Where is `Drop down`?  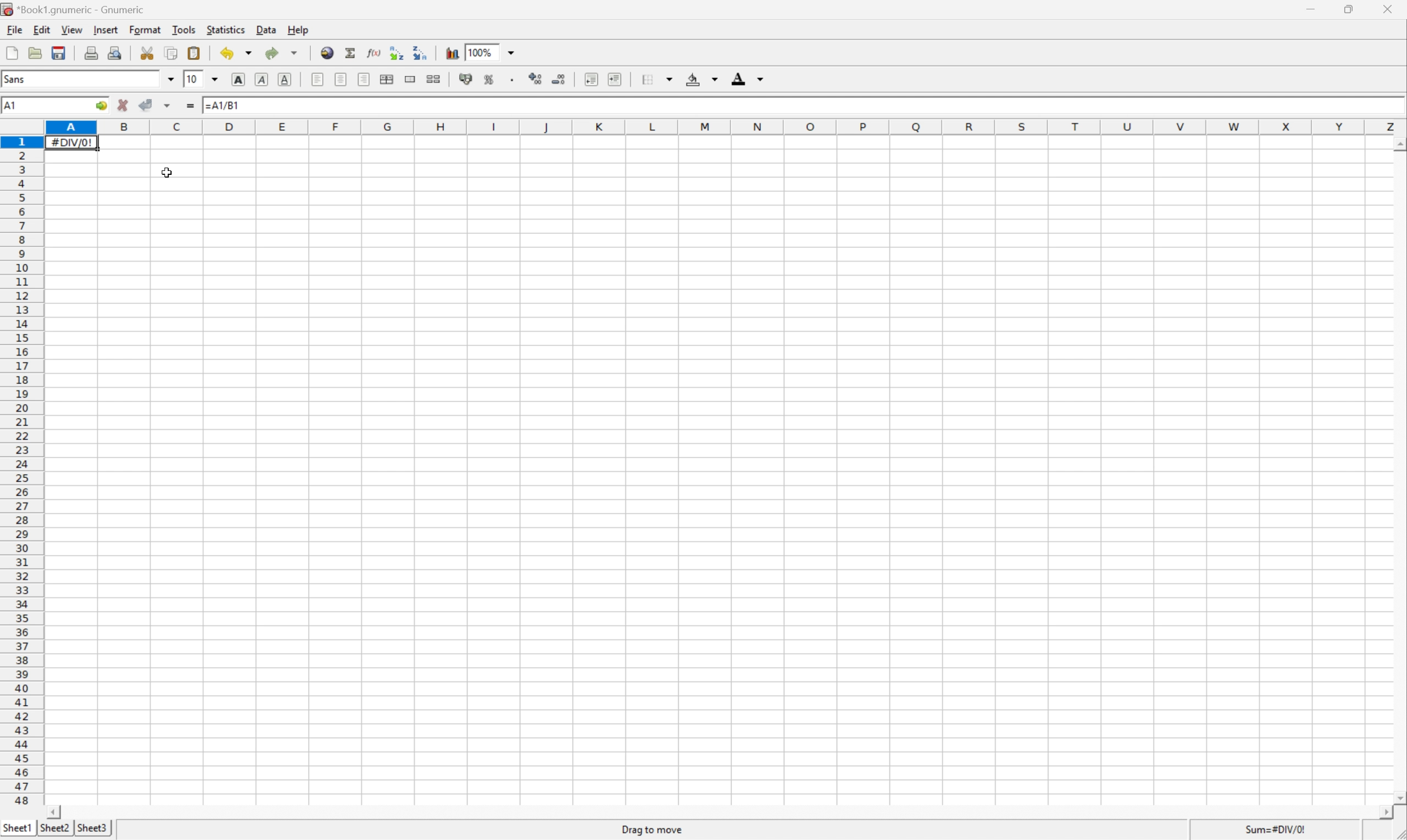 Drop down is located at coordinates (169, 79).